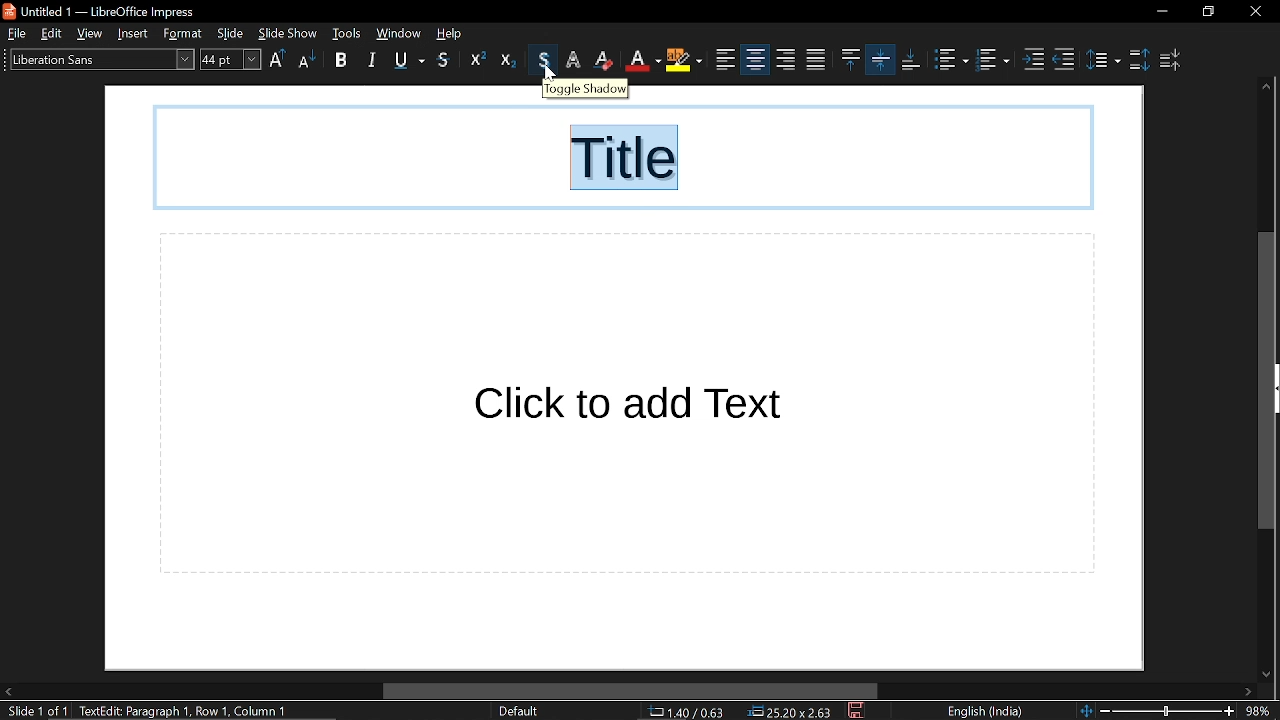  Describe the element at coordinates (849, 59) in the screenshot. I see `center vertically` at that location.